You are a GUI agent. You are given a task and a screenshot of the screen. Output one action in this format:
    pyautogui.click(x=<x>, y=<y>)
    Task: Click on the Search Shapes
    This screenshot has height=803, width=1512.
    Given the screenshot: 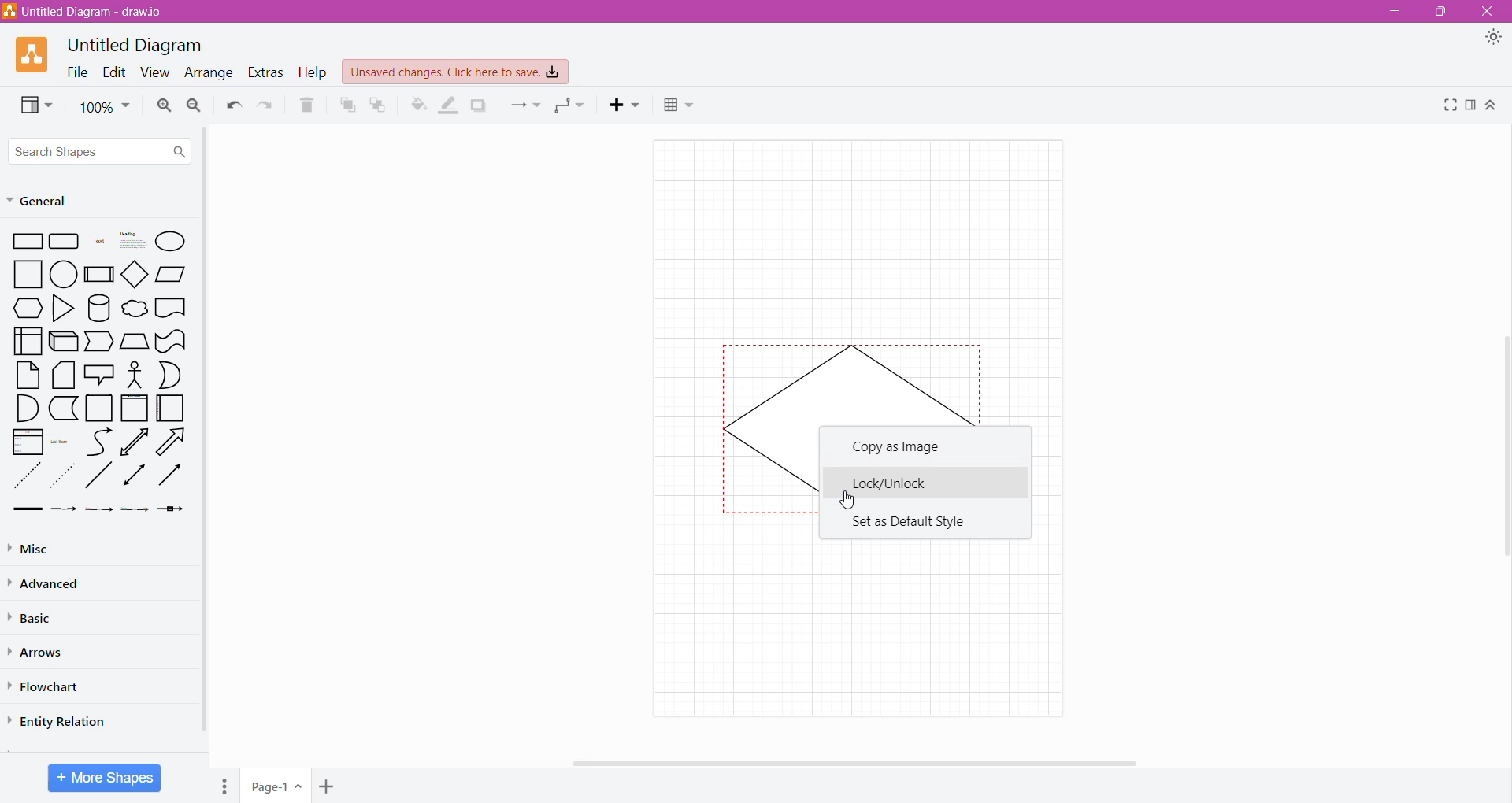 What is the action you would take?
    pyautogui.click(x=100, y=151)
    